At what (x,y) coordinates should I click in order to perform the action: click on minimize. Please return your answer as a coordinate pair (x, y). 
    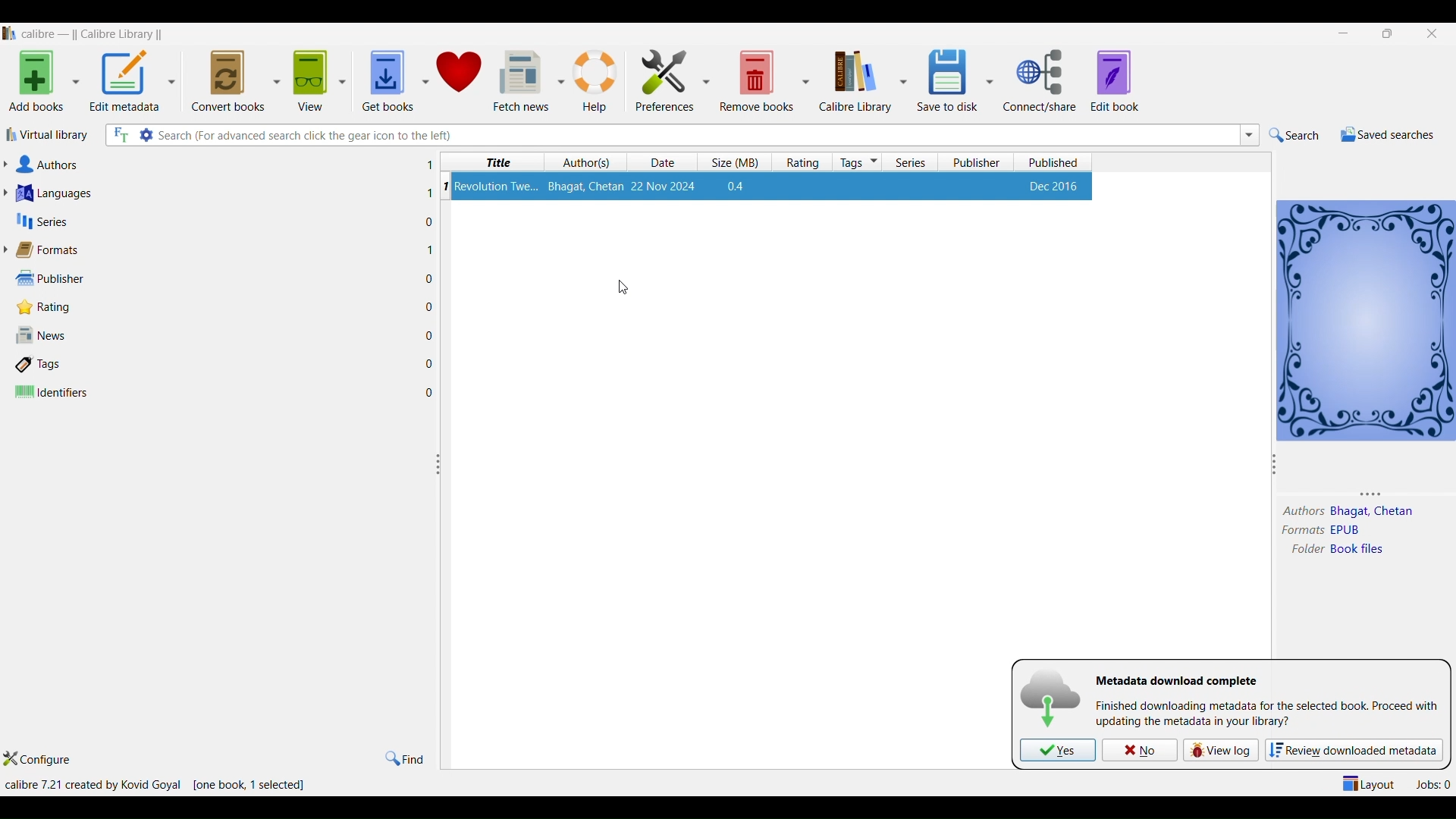
    Looking at the image, I should click on (1341, 32).